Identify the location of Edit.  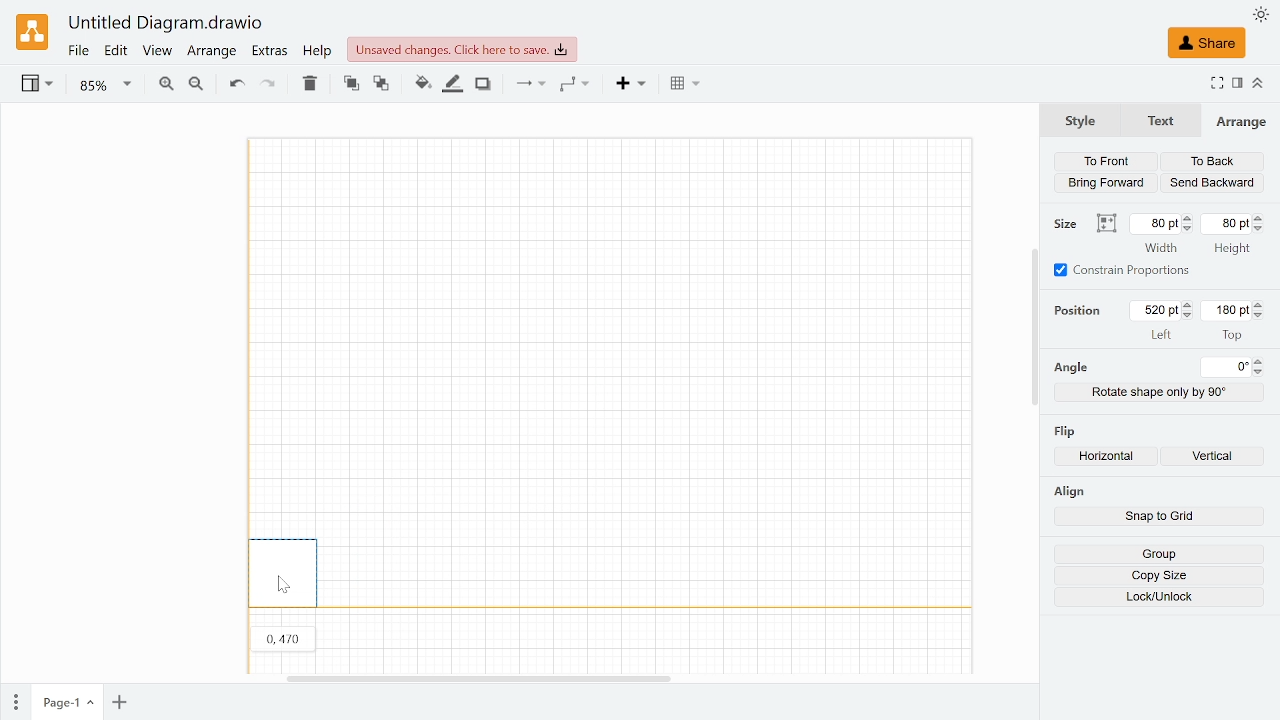
(117, 51).